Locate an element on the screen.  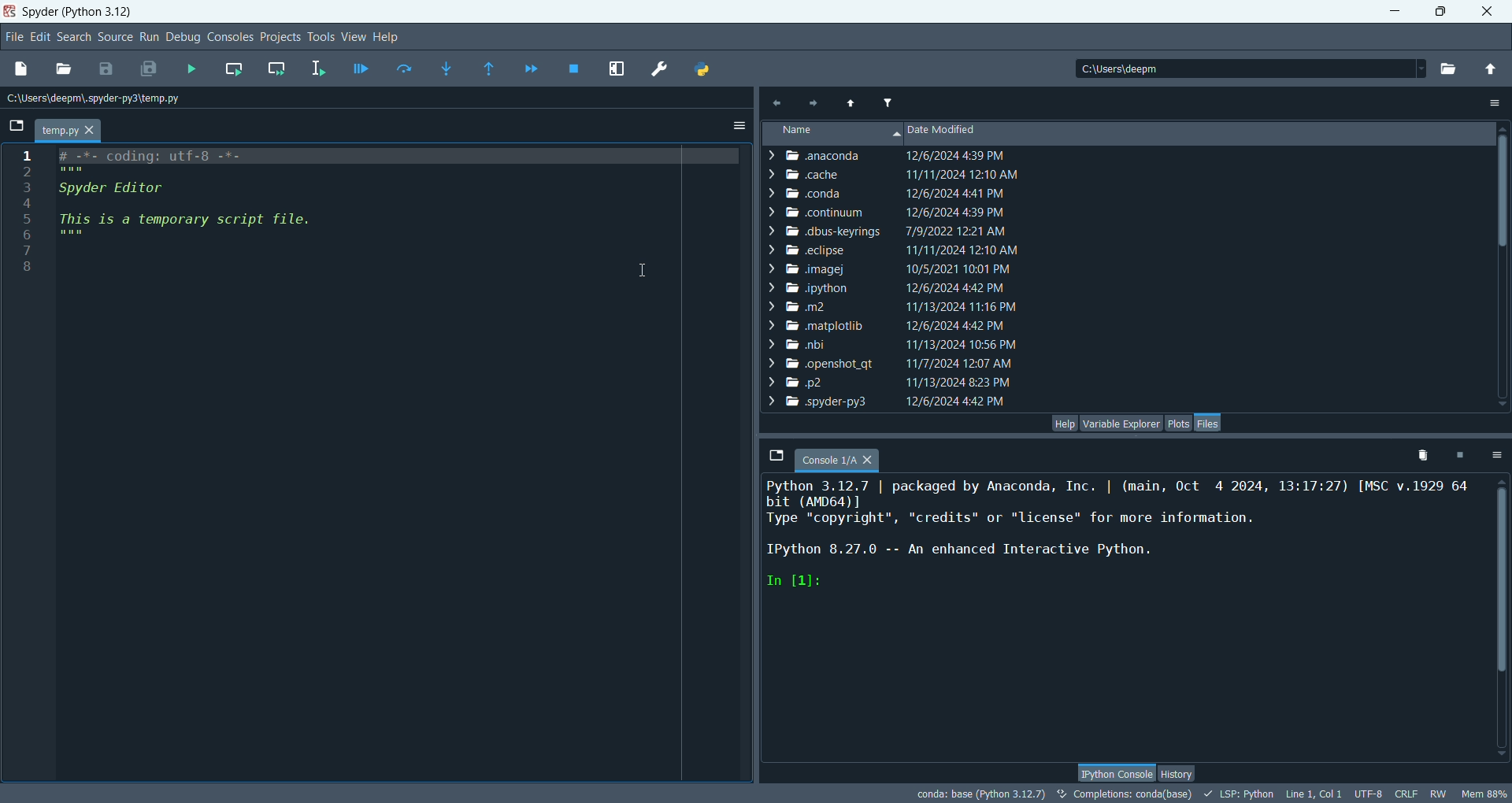
help is located at coordinates (1065, 422).